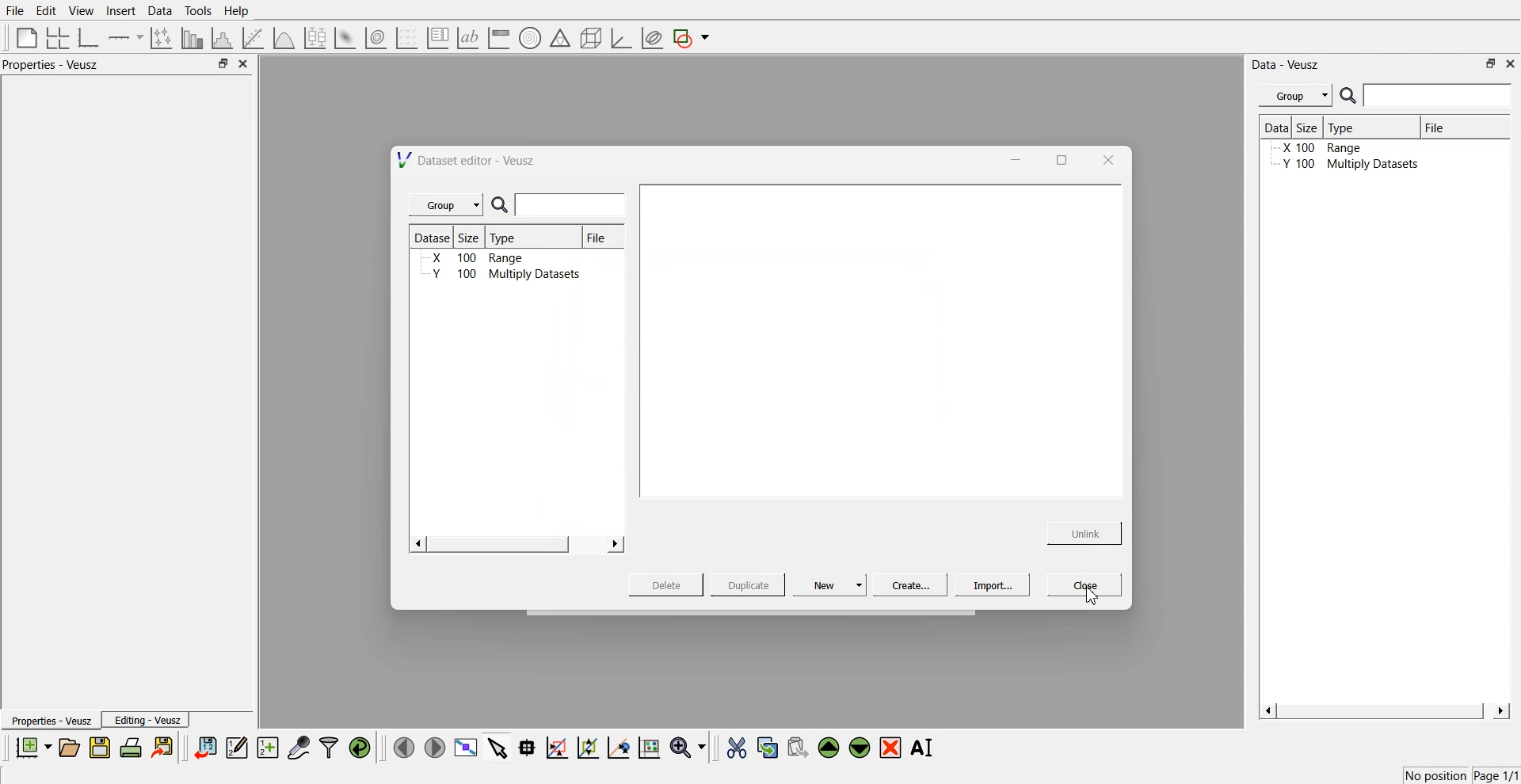 This screenshot has height=784, width=1521. What do you see at coordinates (468, 160) in the screenshot?
I see `Dataset editor - Veusz` at bounding box center [468, 160].